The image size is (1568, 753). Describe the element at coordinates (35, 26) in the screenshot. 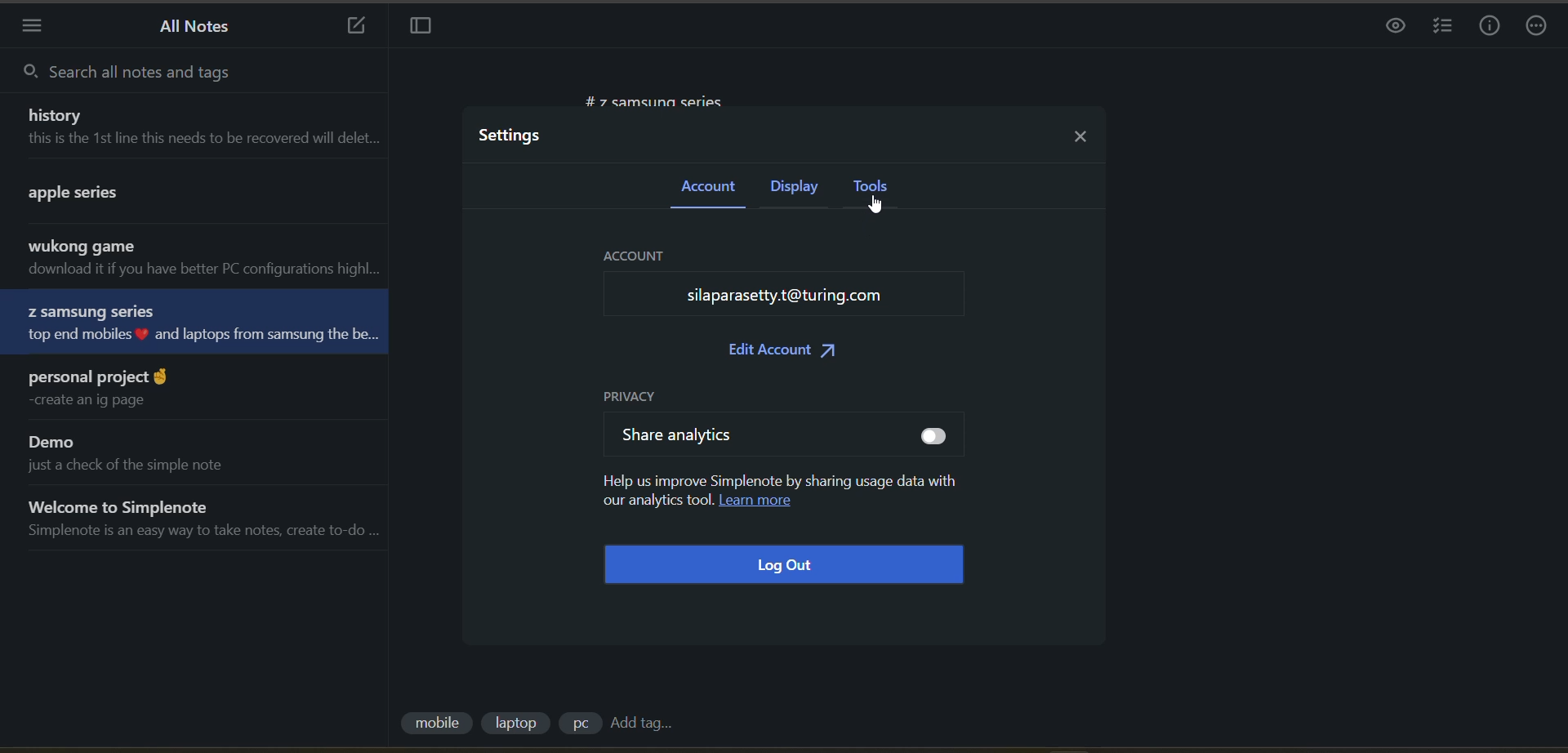

I see `menu` at that location.